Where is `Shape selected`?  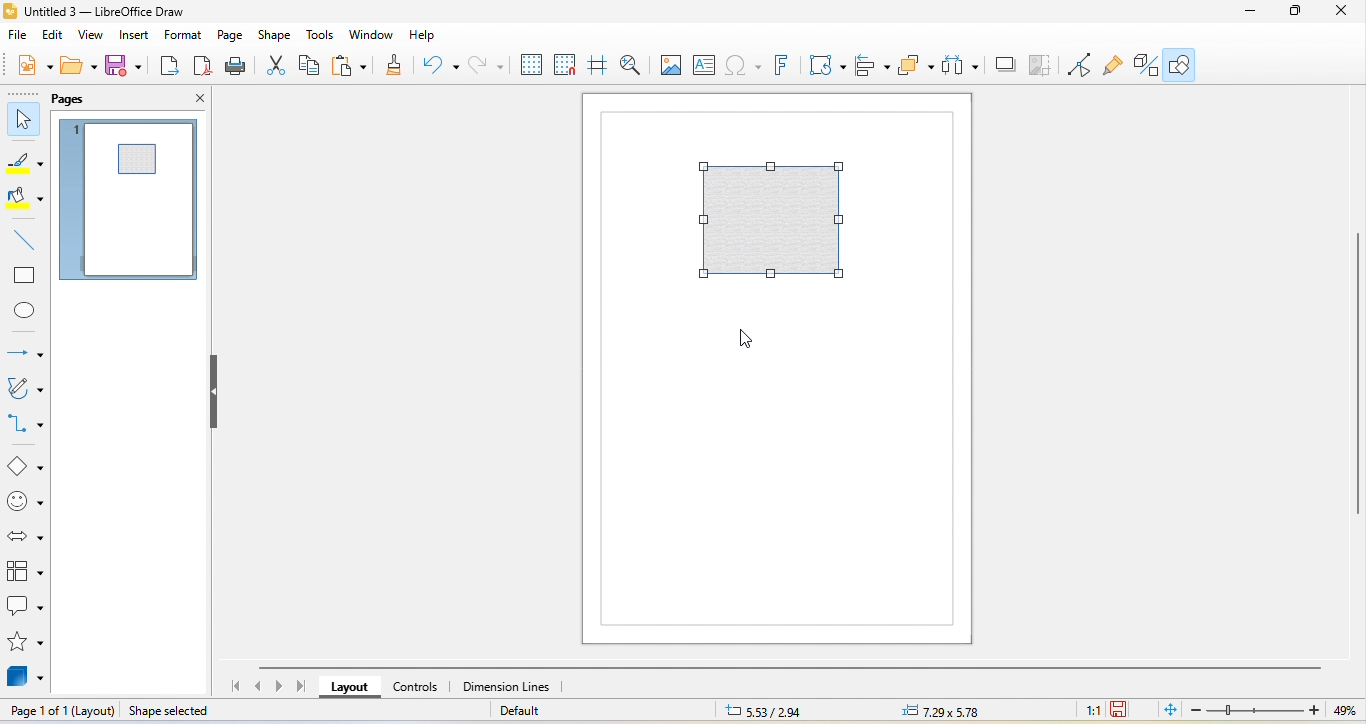 Shape selected is located at coordinates (172, 711).